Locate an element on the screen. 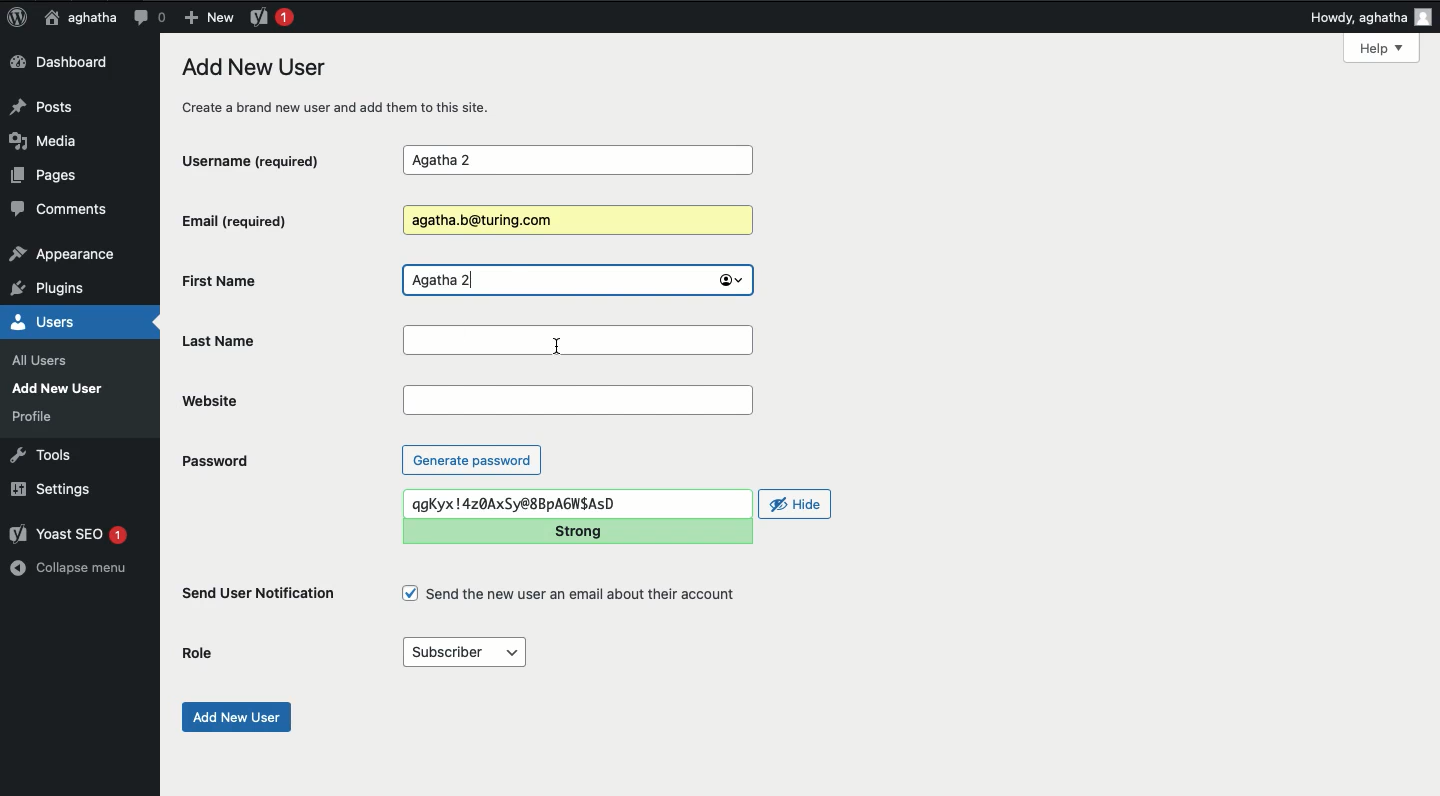  Comments is located at coordinates (61, 212).